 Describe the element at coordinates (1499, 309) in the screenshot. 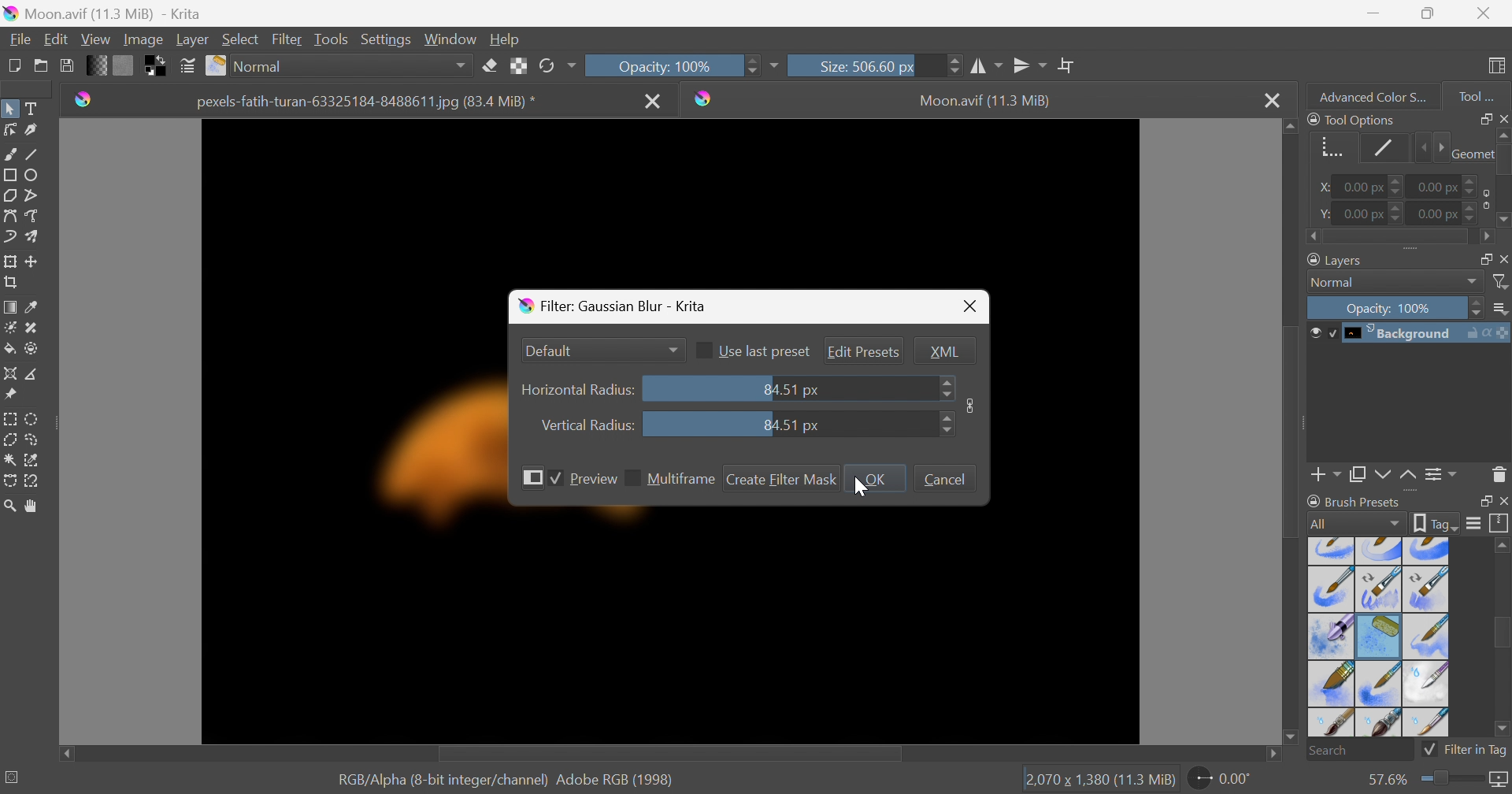

I see `Thumbnail size` at that location.